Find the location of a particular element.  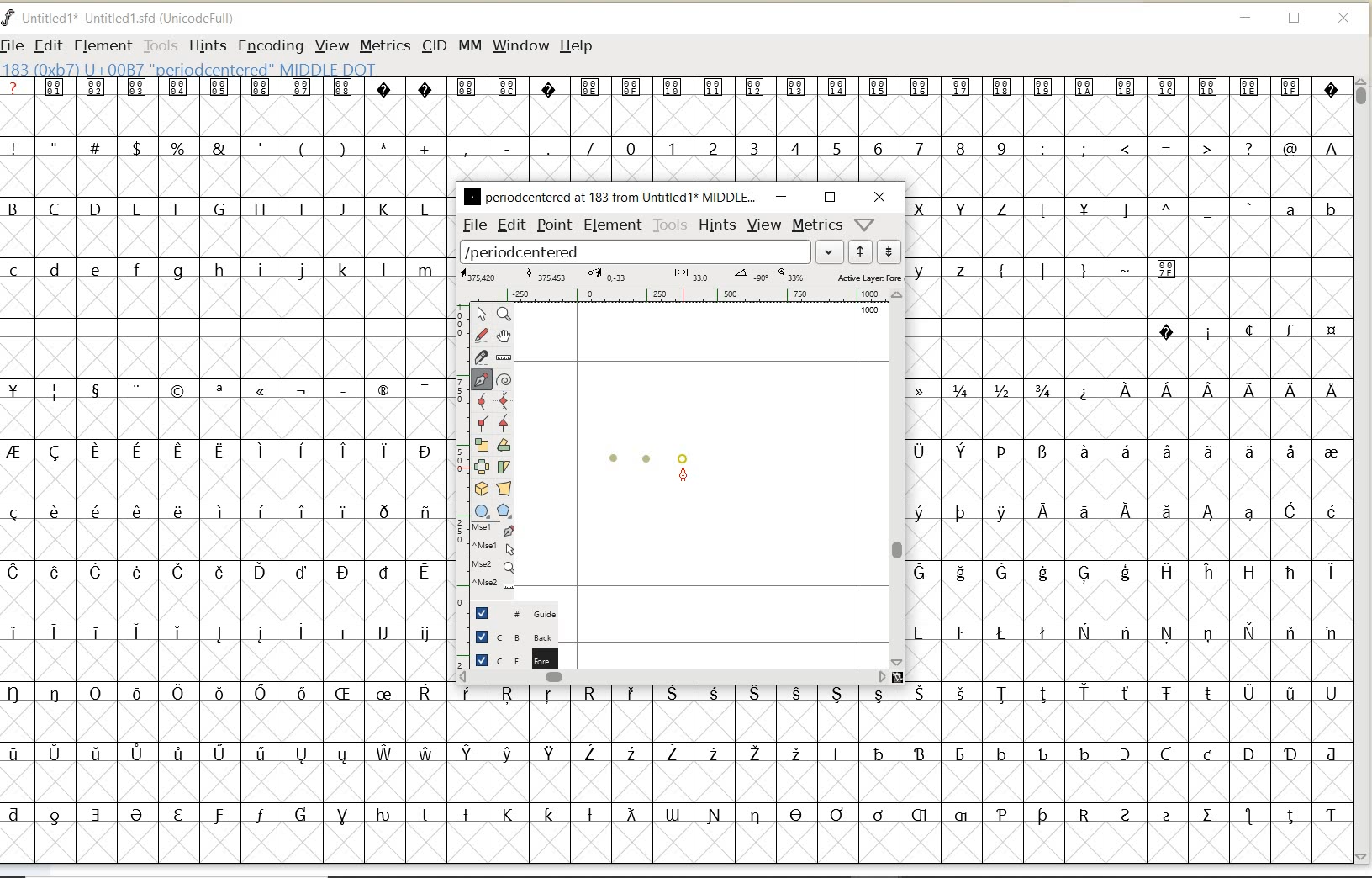

cursor events on the opened outline window is located at coordinates (493, 557).